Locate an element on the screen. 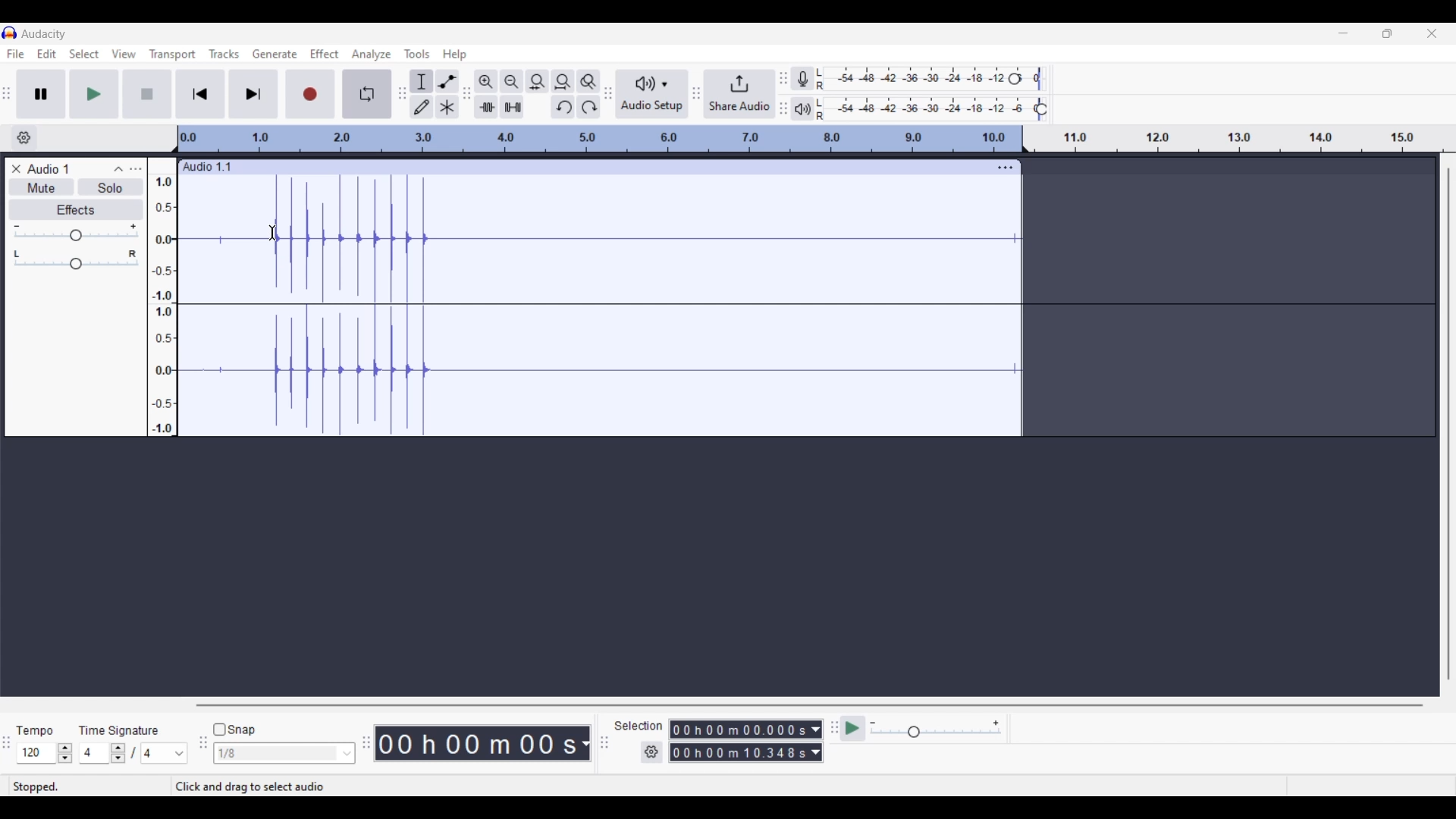  Trim audio outside selection is located at coordinates (486, 107).